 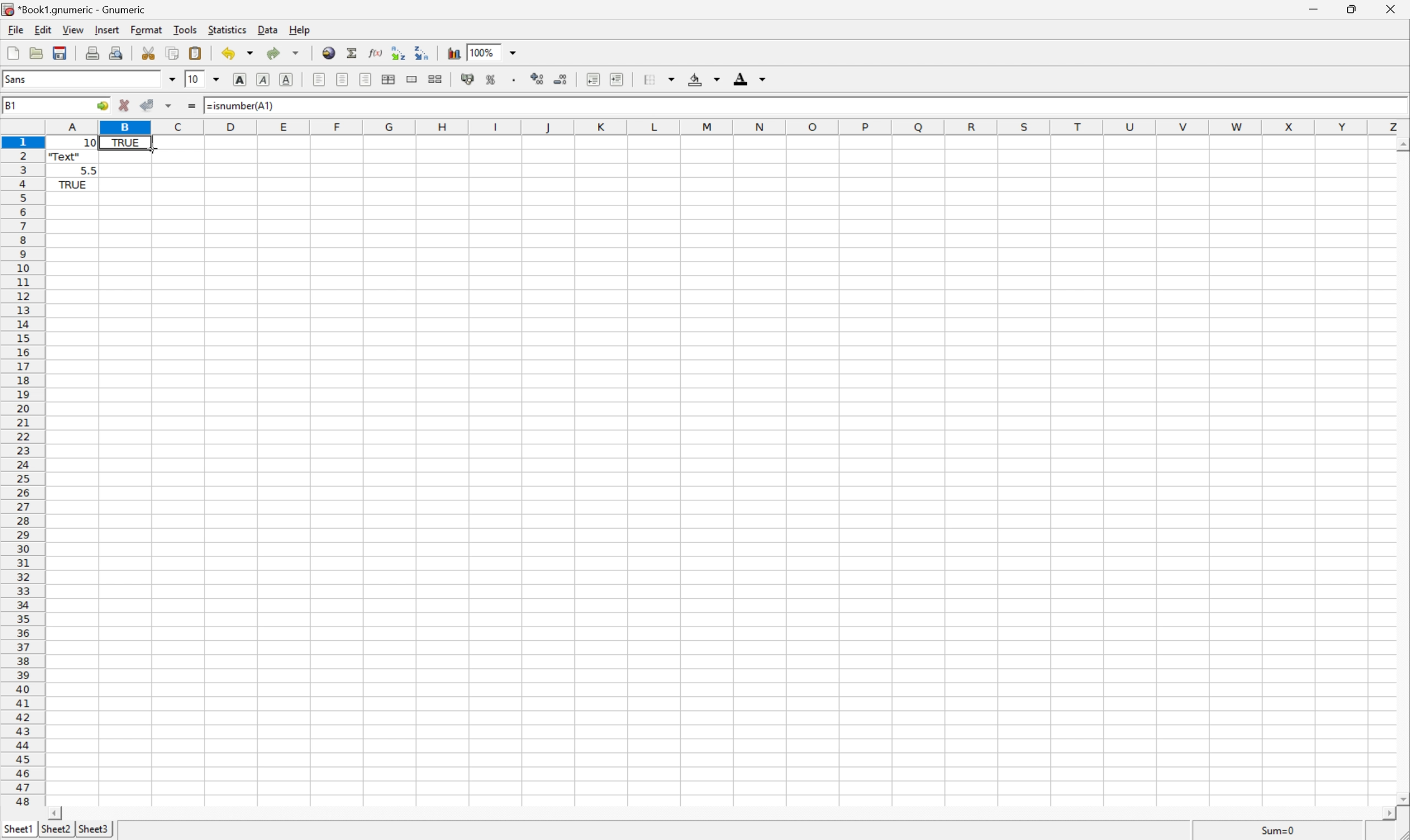 I want to click on 10, so click(x=72, y=143).